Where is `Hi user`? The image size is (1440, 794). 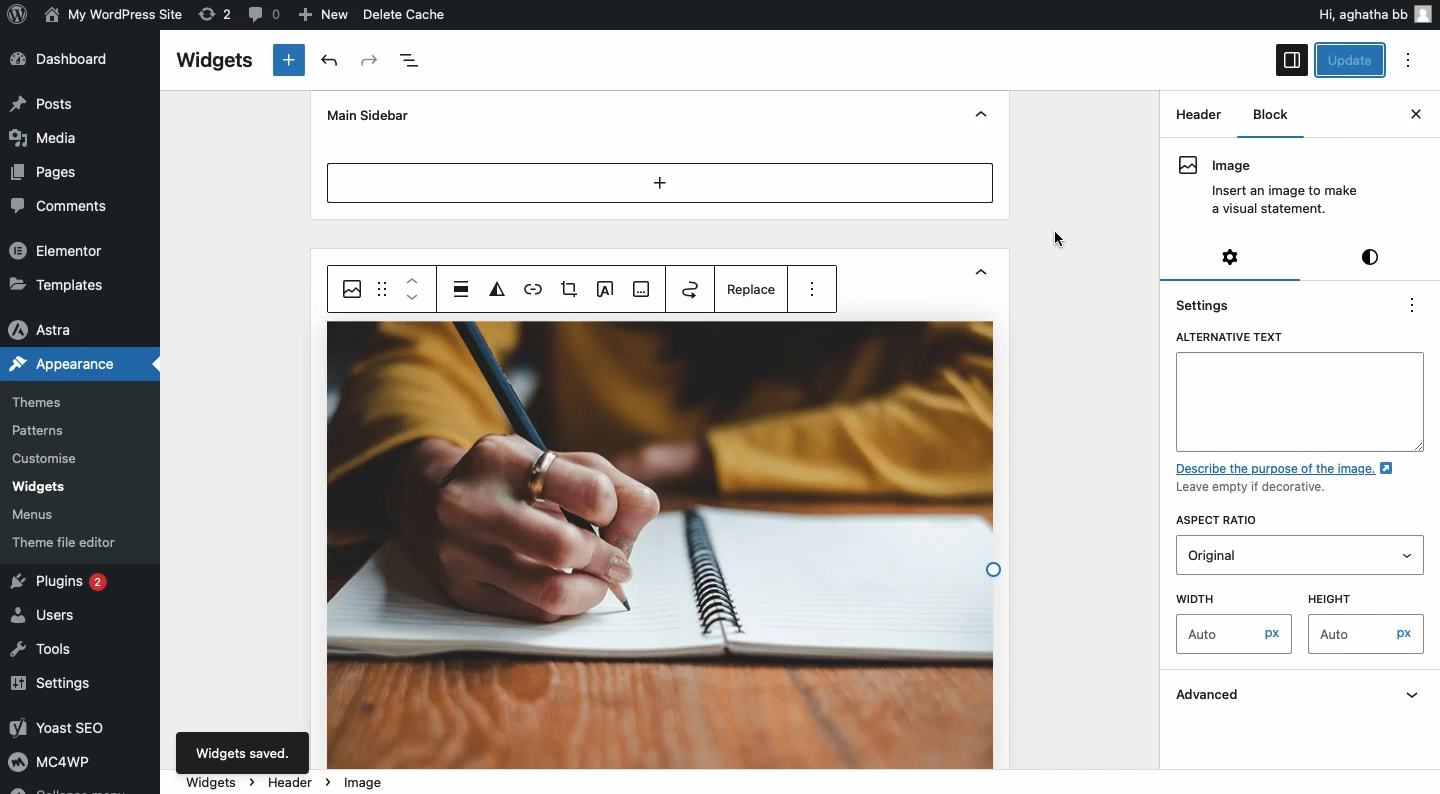 Hi user is located at coordinates (1373, 14).